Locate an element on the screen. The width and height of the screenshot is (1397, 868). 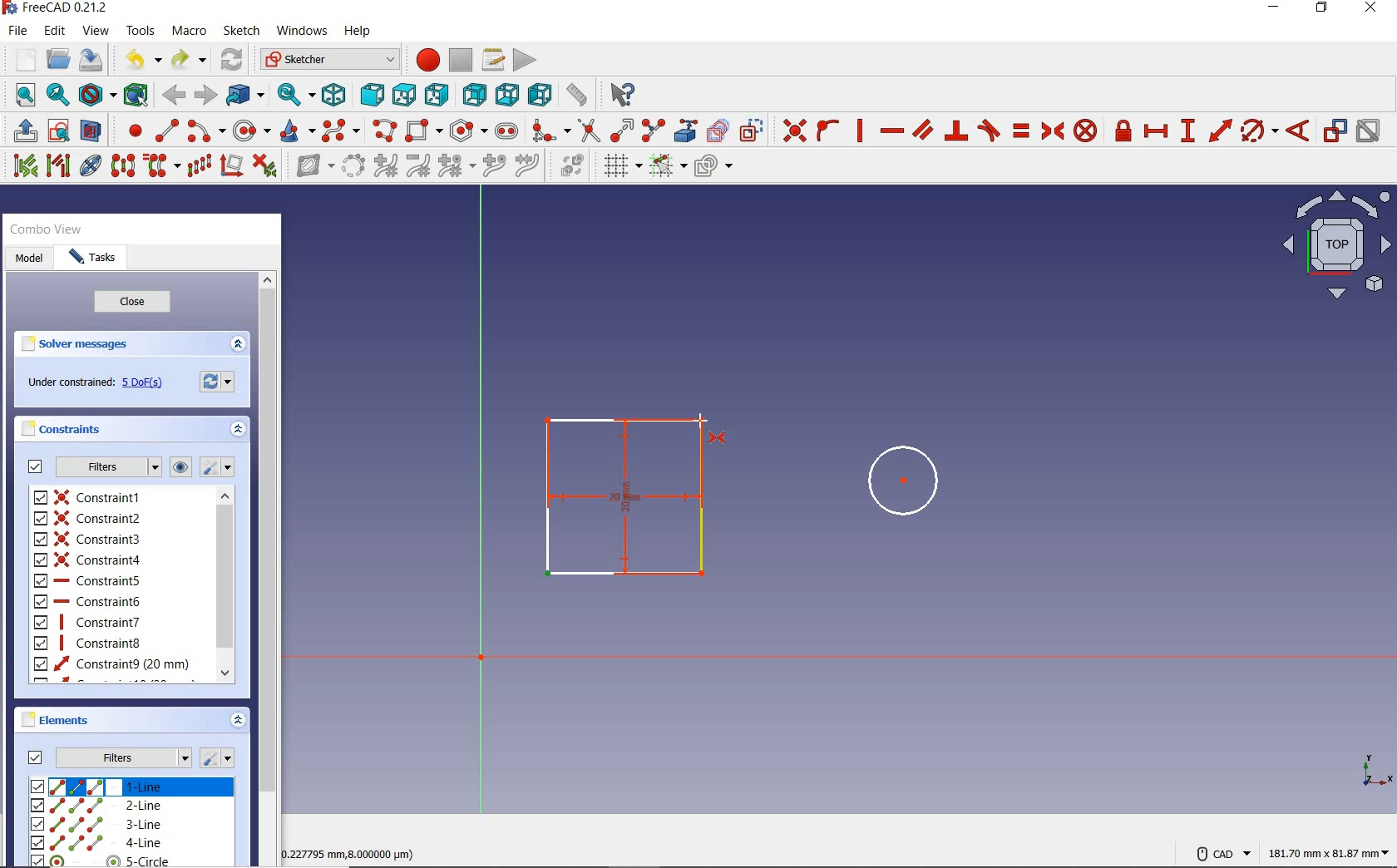
expand is located at coordinates (239, 718).